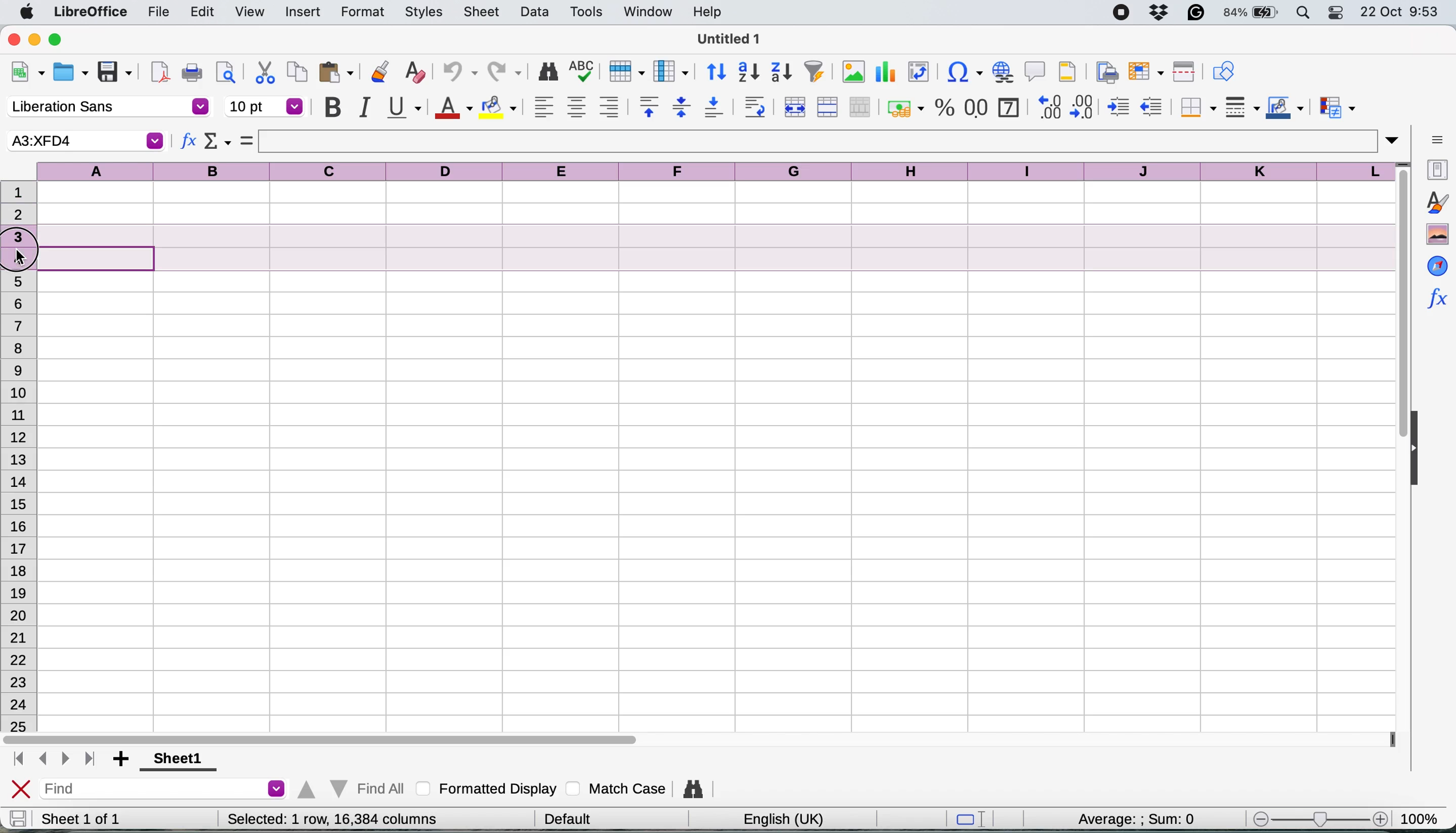  What do you see at coordinates (303, 13) in the screenshot?
I see `insert` at bounding box center [303, 13].